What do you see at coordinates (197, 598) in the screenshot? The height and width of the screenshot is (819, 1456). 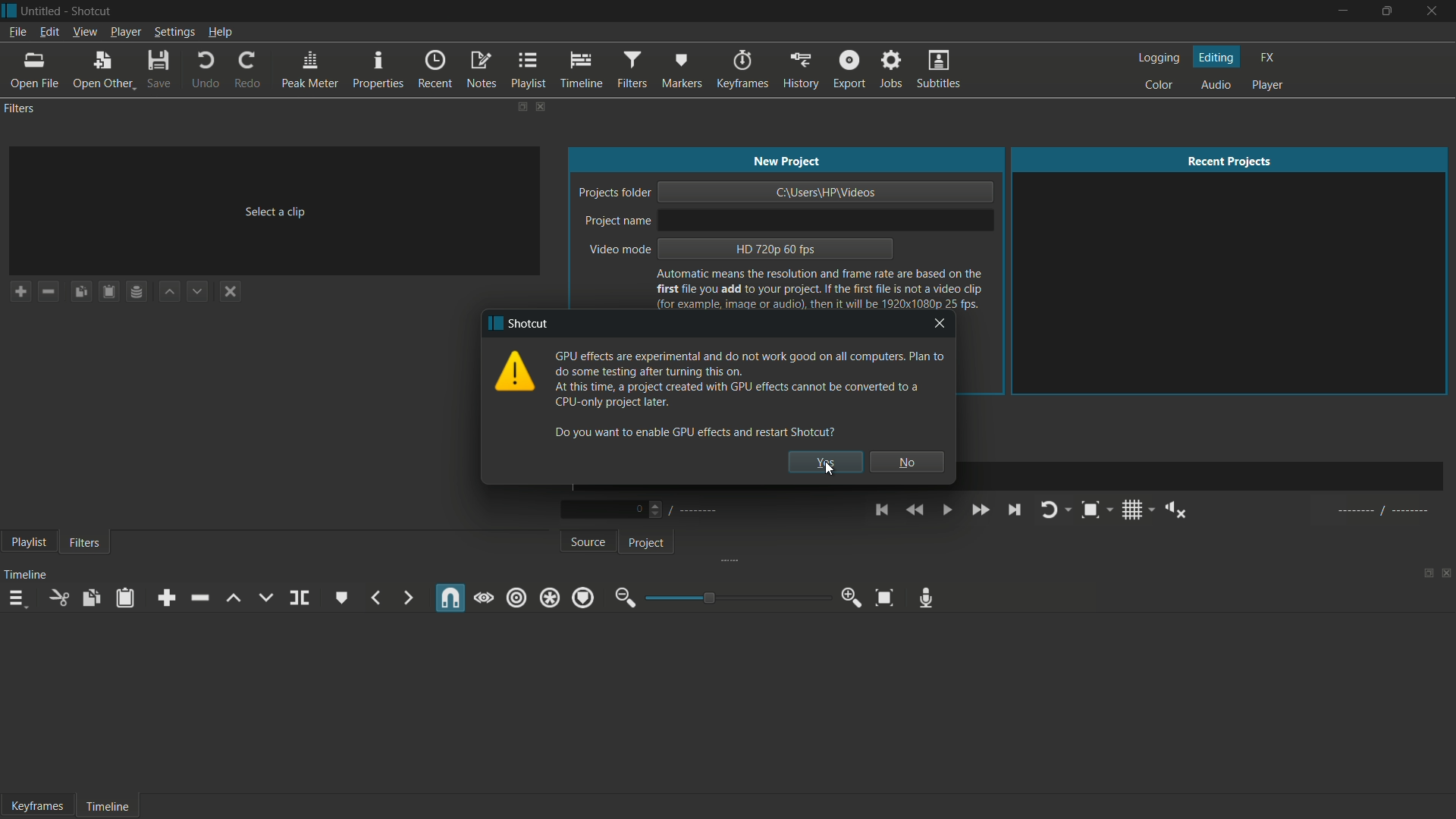 I see `ripple delete` at bounding box center [197, 598].